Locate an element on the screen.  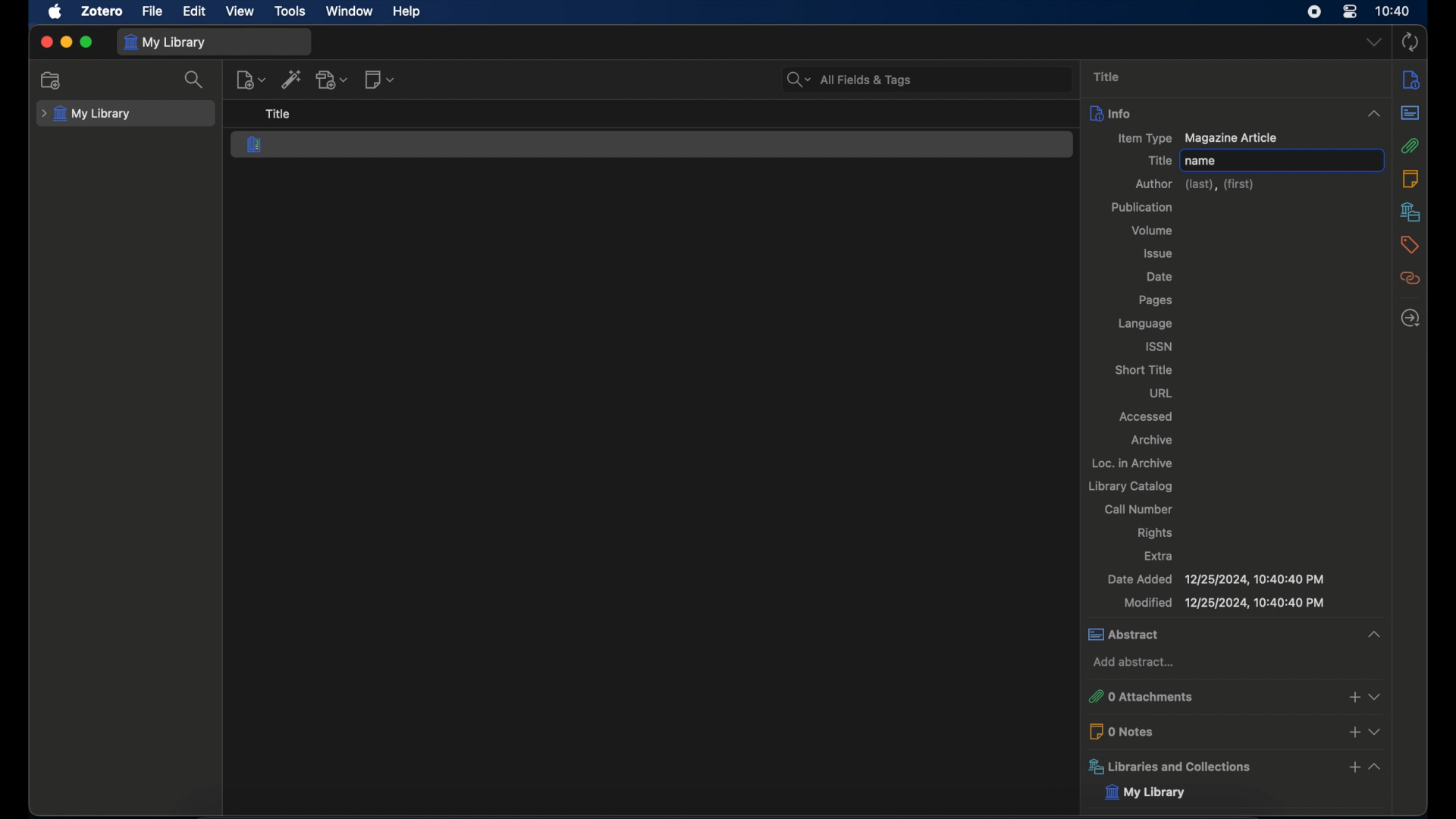
short title is located at coordinates (1143, 370).